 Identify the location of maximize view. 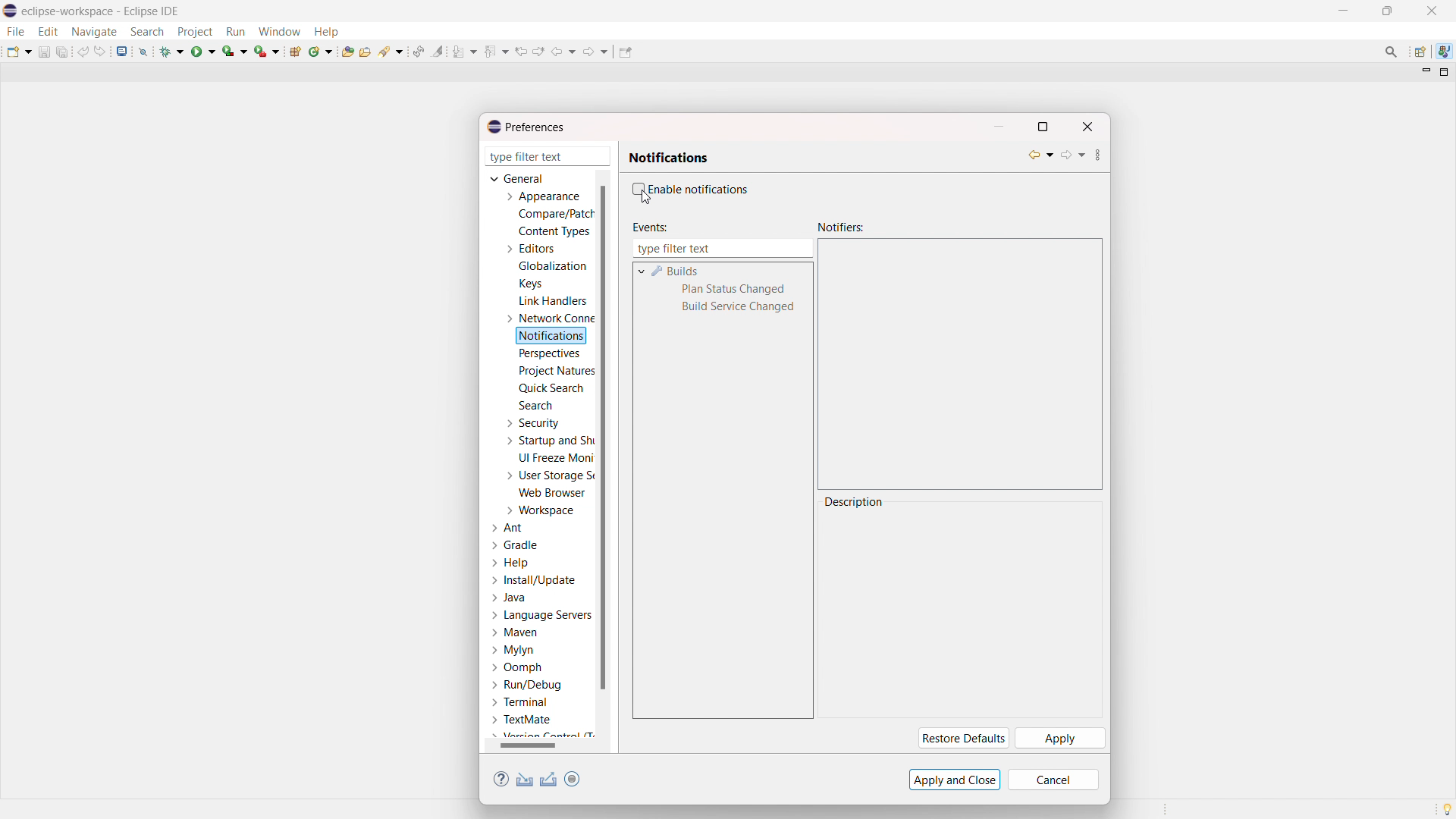
(1445, 72).